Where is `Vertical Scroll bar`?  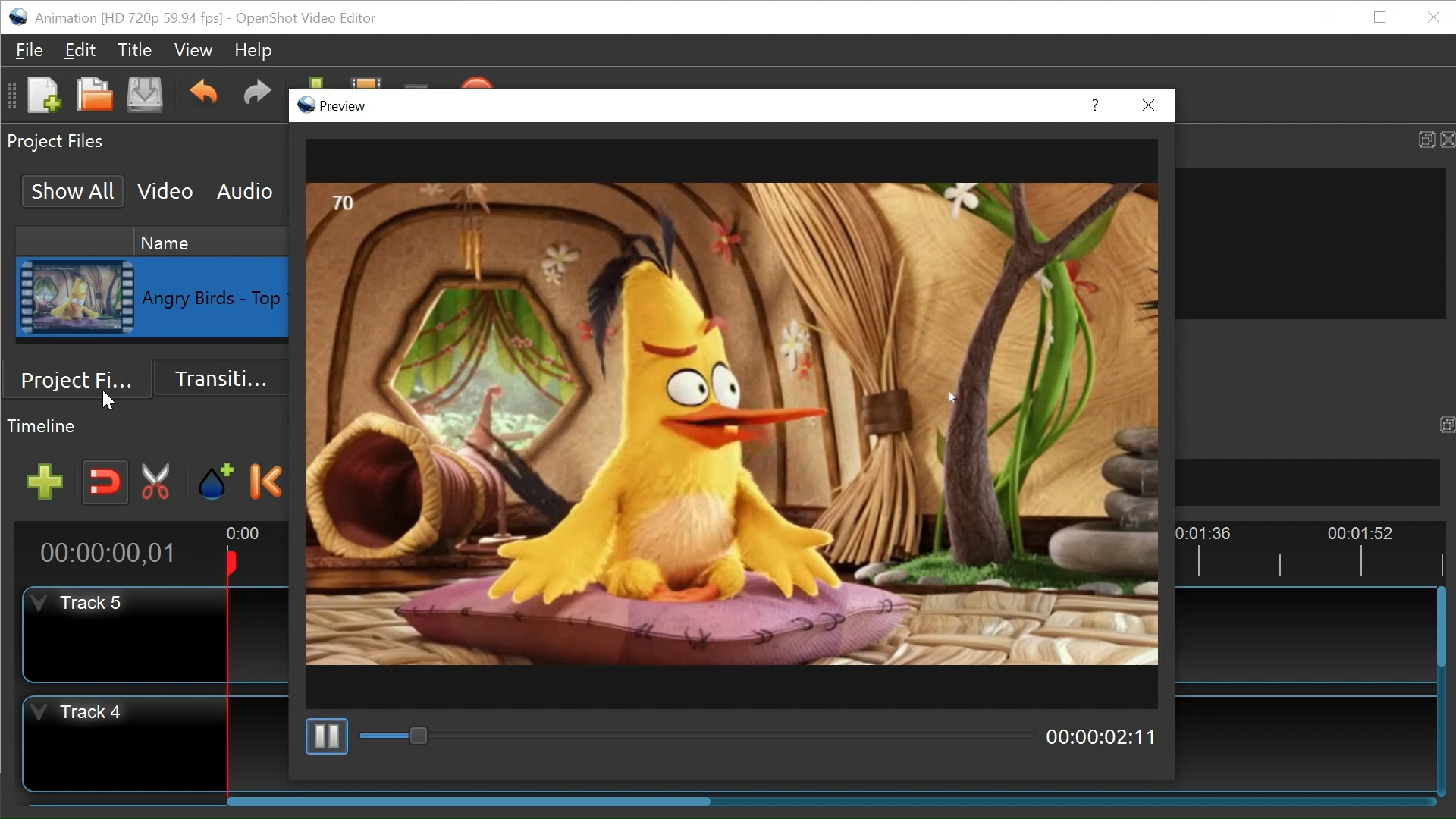
Vertical Scroll bar is located at coordinates (1441, 626).